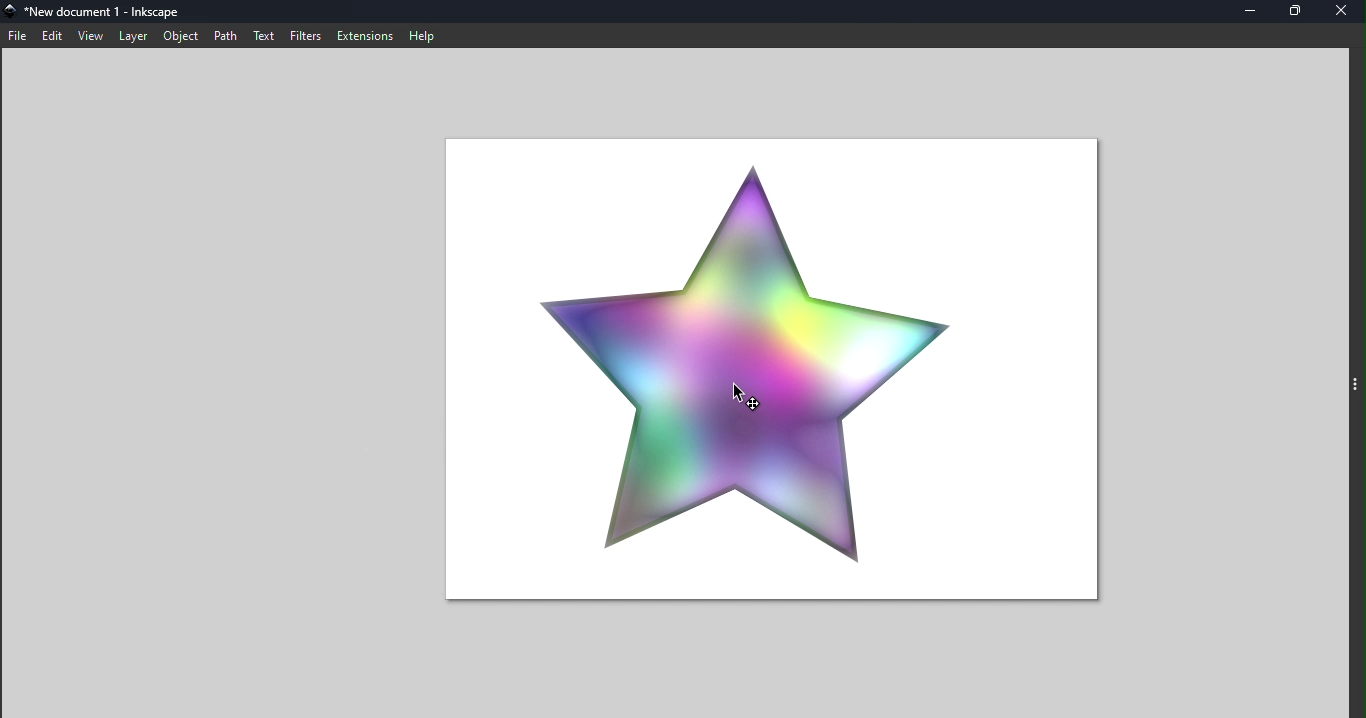 This screenshot has height=718, width=1366. What do you see at coordinates (1352, 384) in the screenshot?
I see `toggle command panel` at bounding box center [1352, 384].